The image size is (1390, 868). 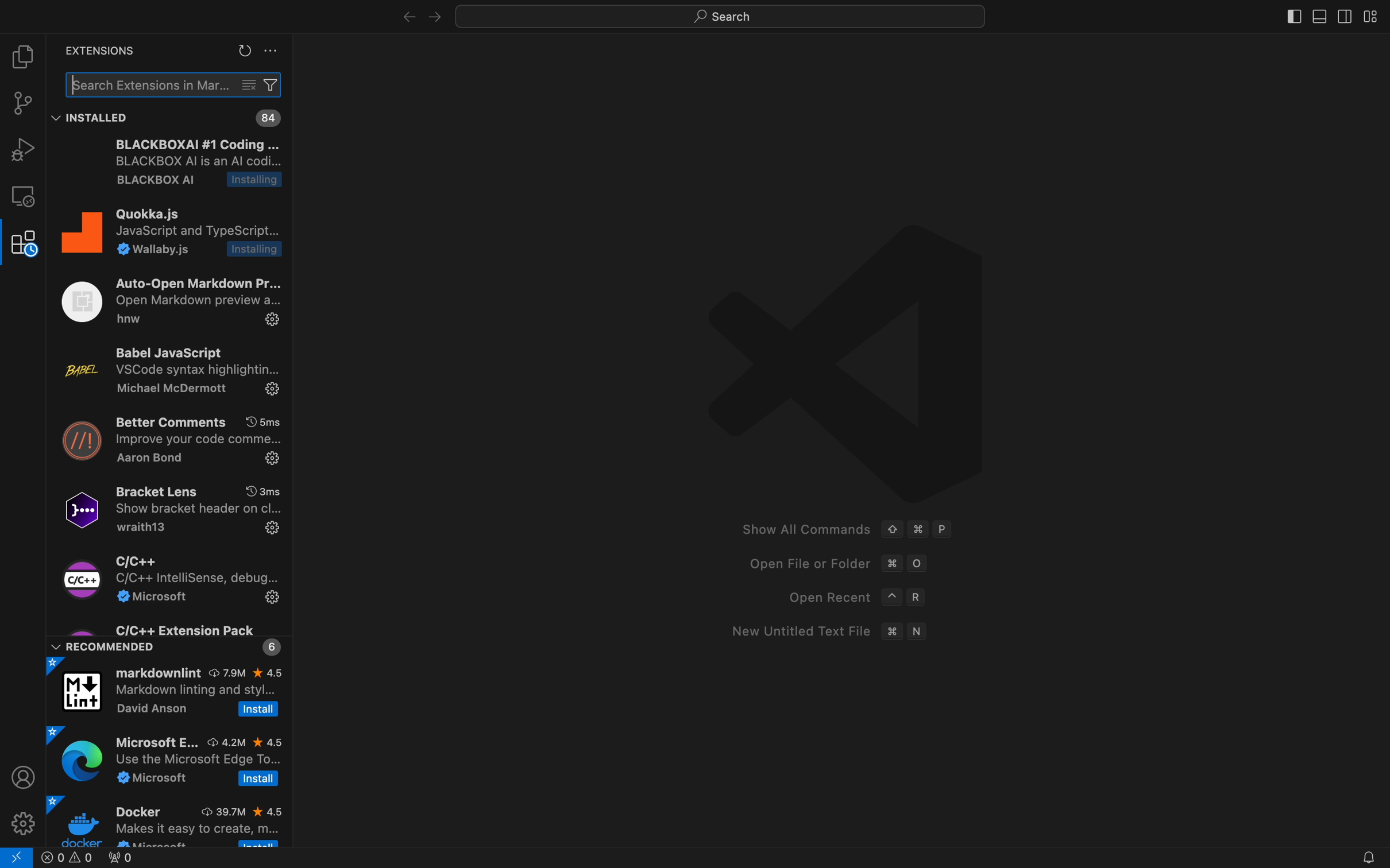 I want to click on layouts, so click(x=1372, y=15).